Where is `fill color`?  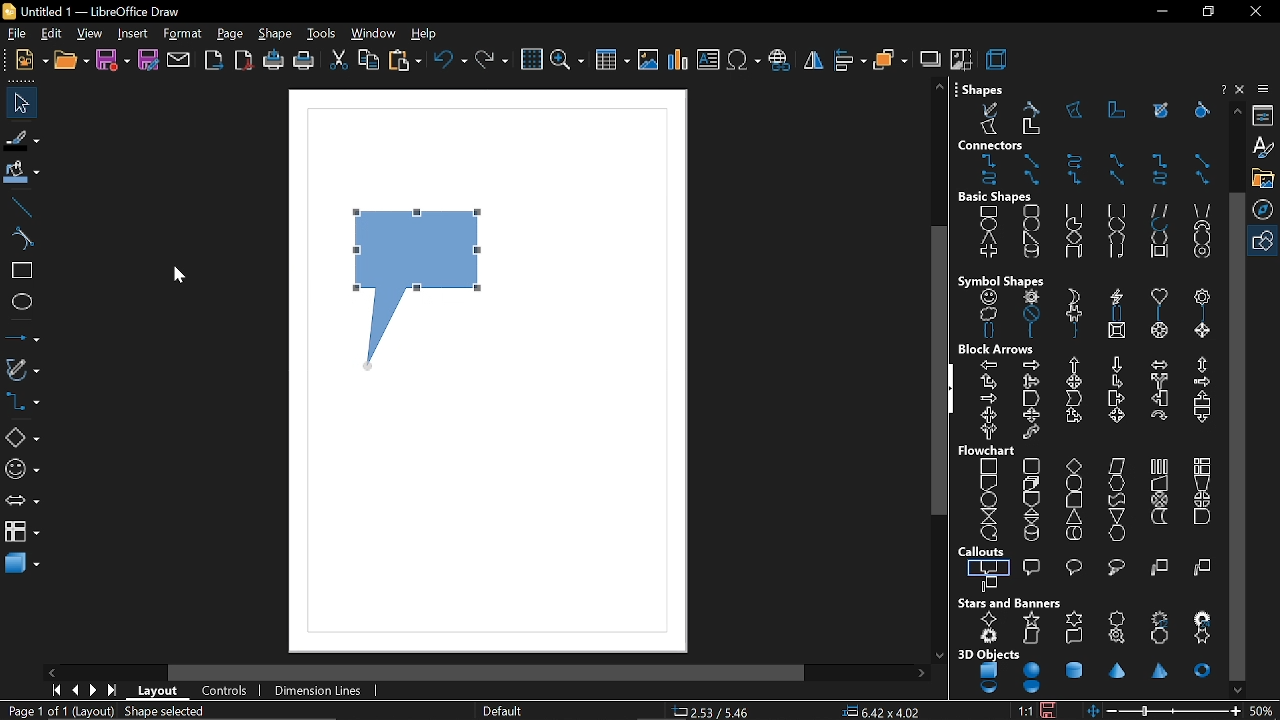
fill color is located at coordinates (22, 172).